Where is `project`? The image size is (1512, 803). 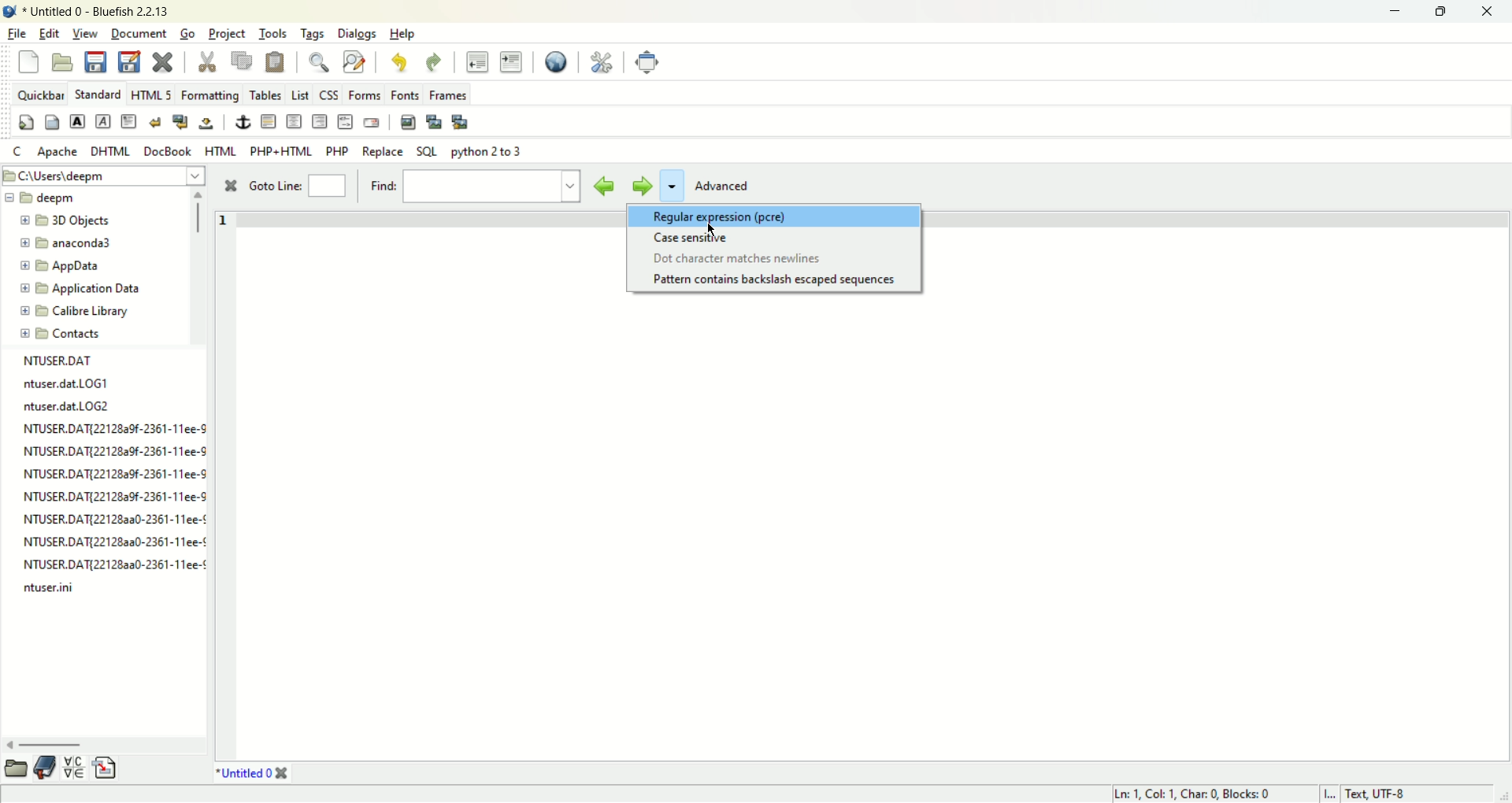 project is located at coordinates (229, 34).